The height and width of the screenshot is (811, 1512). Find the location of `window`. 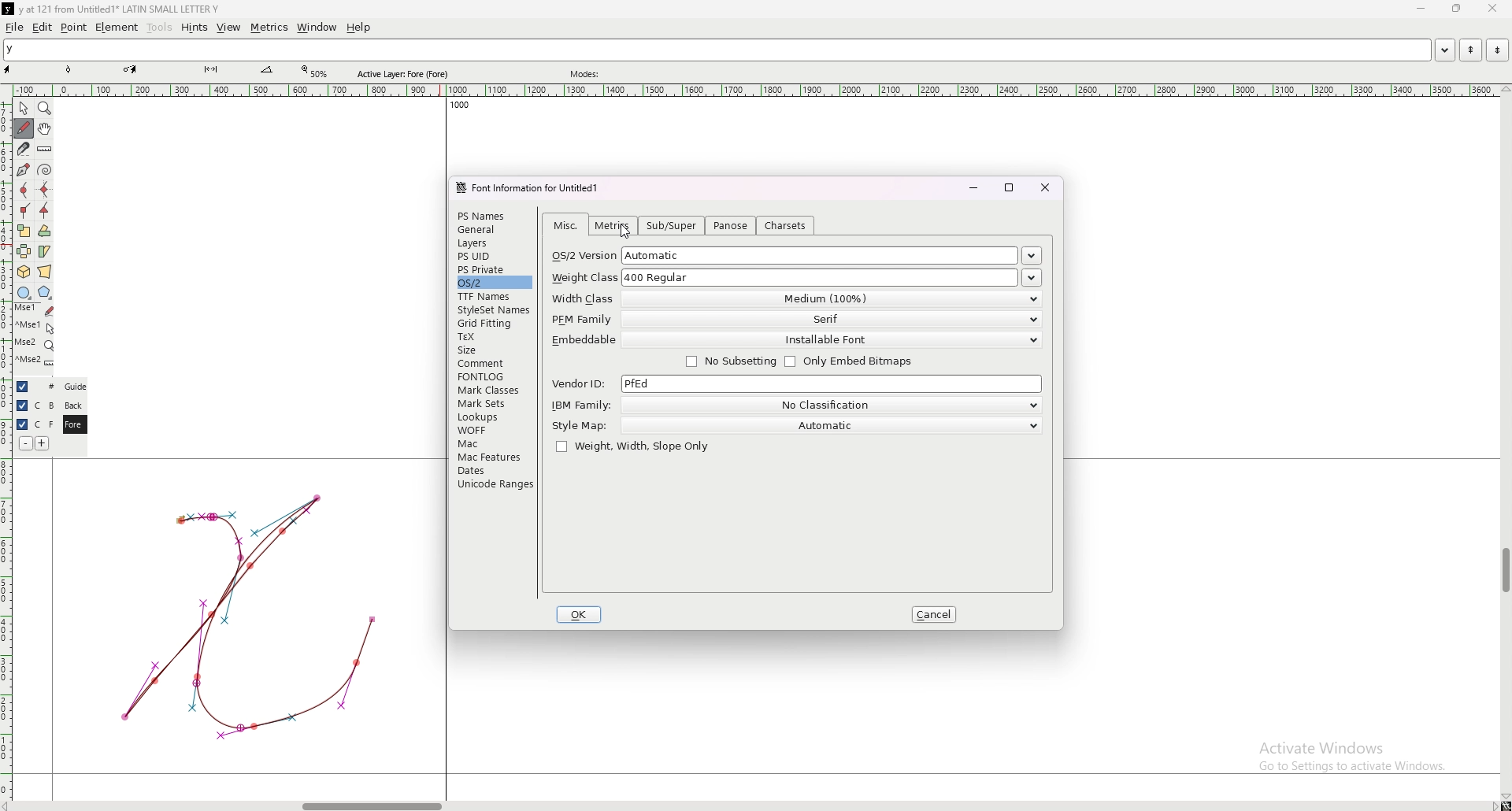

window is located at coordinates (317, 28).